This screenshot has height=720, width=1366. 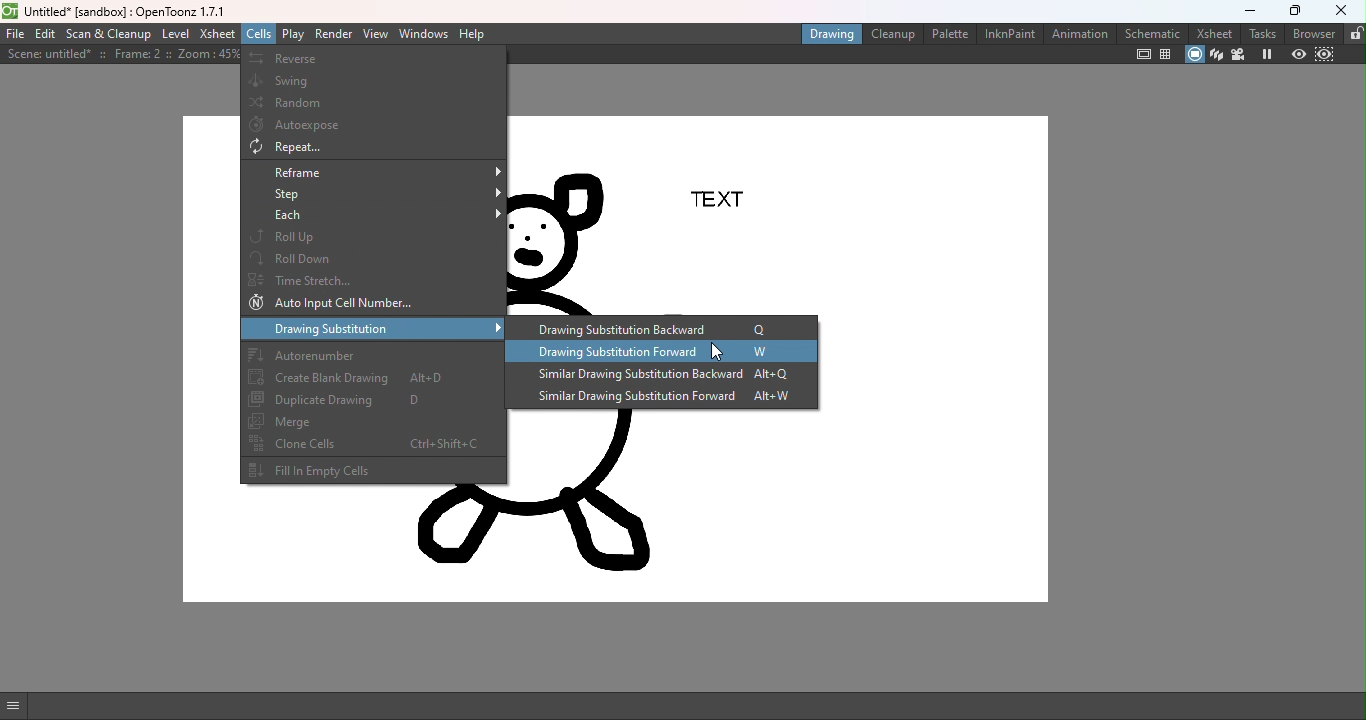 I want to click on Autorenumber, so click(x=377, y=356).